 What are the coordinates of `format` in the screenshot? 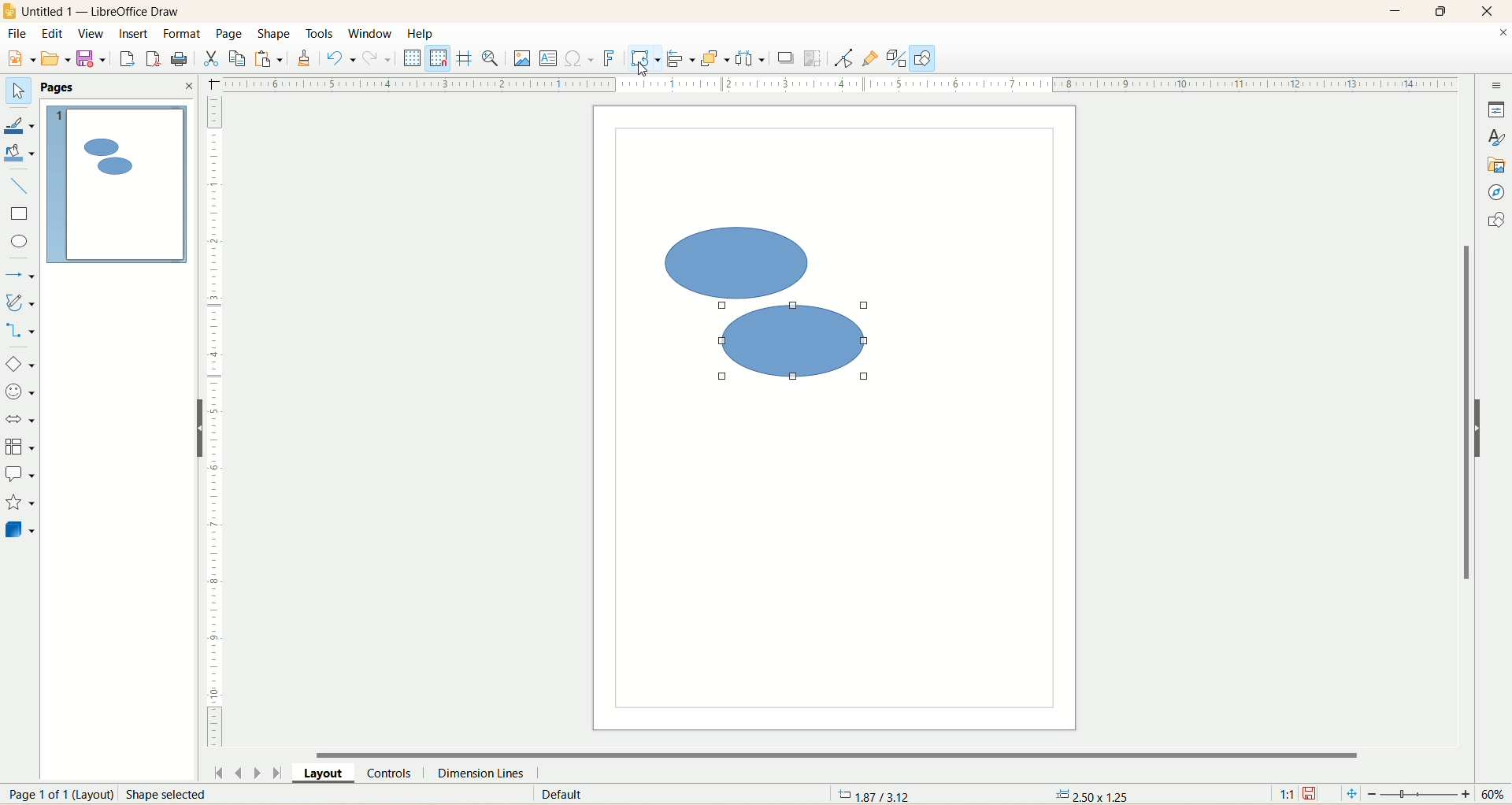 It's located at (186, 35).